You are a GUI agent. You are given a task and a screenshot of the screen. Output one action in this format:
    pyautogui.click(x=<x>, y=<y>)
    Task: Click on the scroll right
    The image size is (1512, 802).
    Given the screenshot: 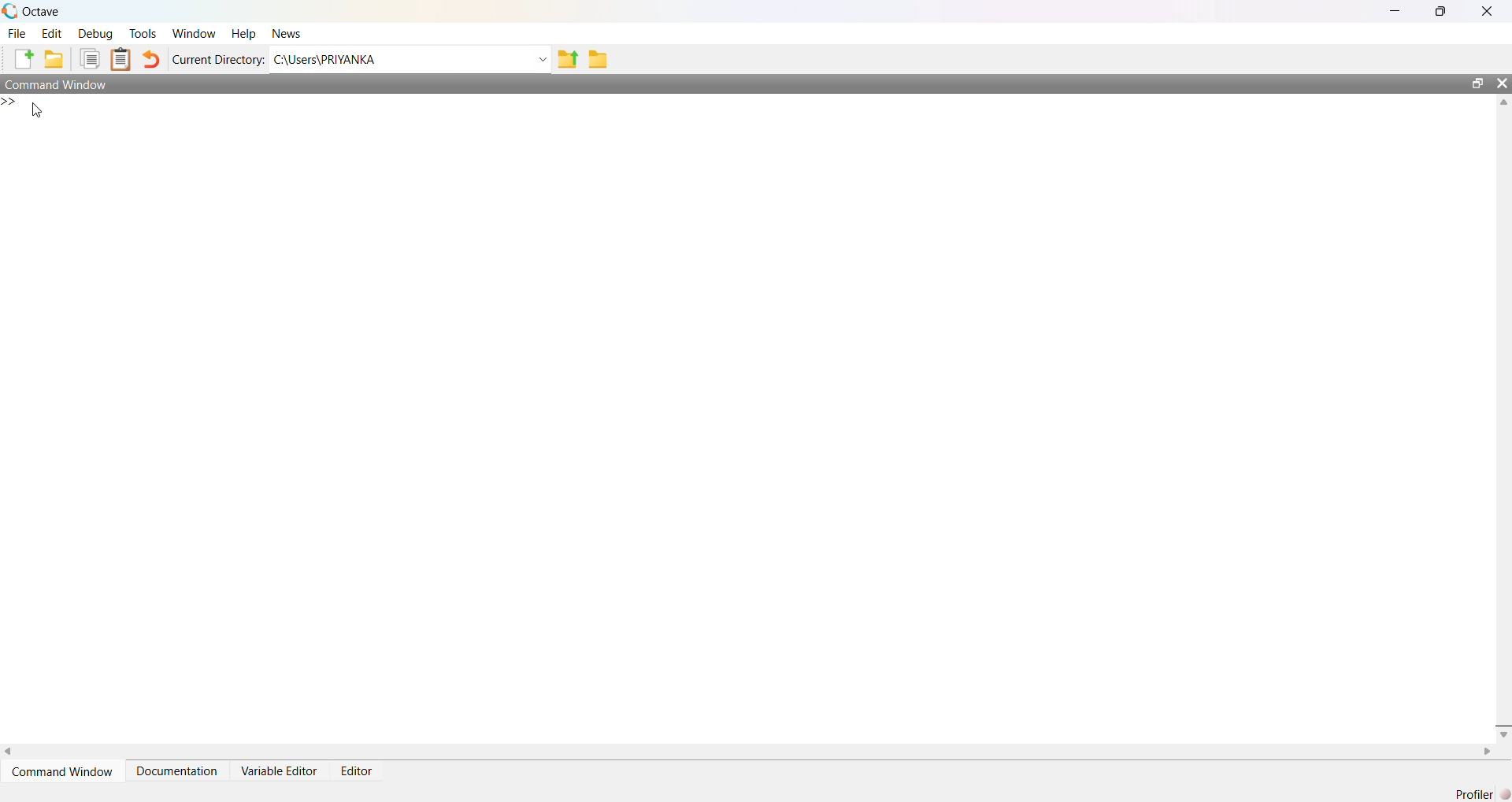 What is the action you would take?
    pyautogui.click(x=1488, y=752)
    